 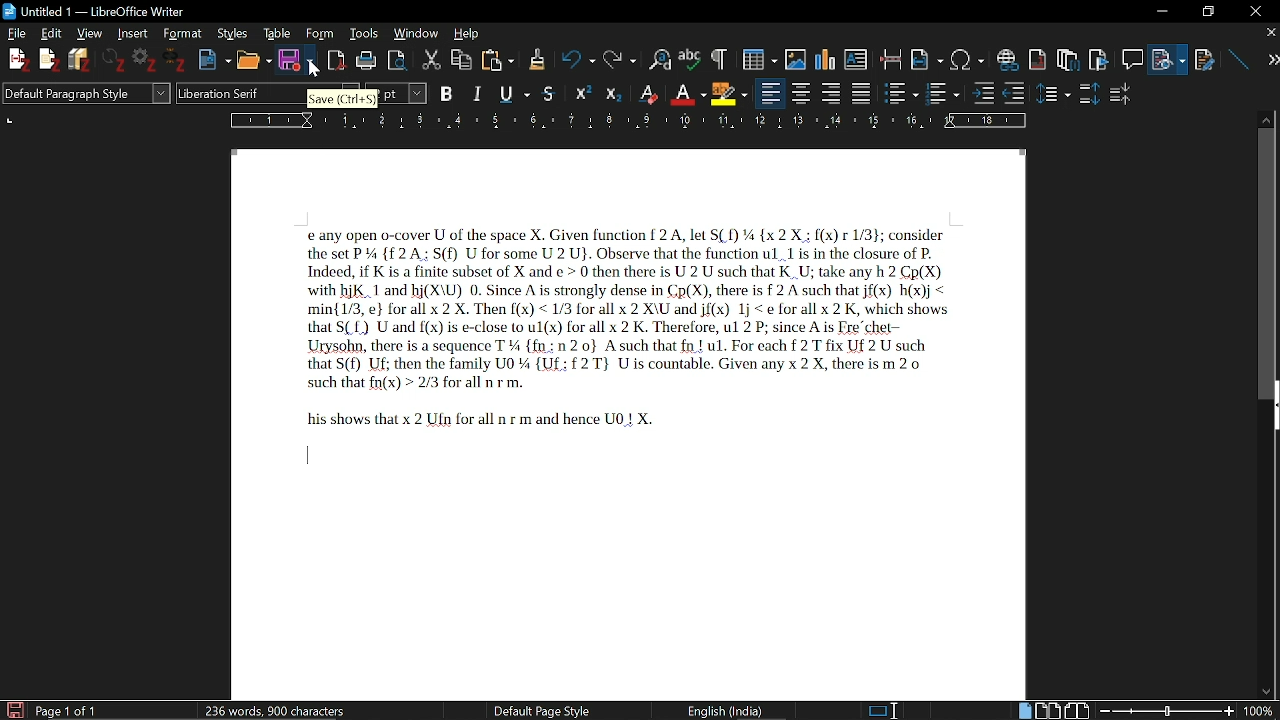 I want to click on File, so click(x=1171, y=56).